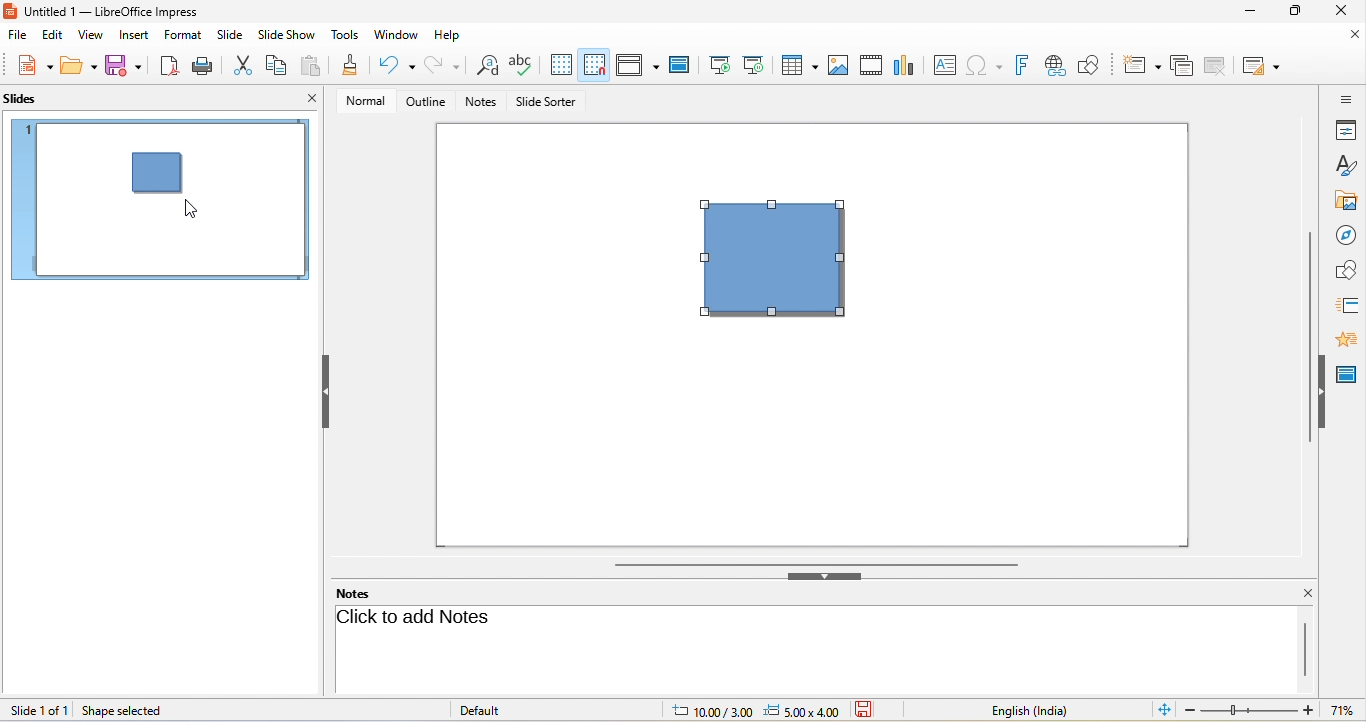 The width and height of the screenshot is (1366, 722). What do you see at coordinates (803, 710) in the screenshot?
I see `5.00x4.00` at bounding box center [803, 710].